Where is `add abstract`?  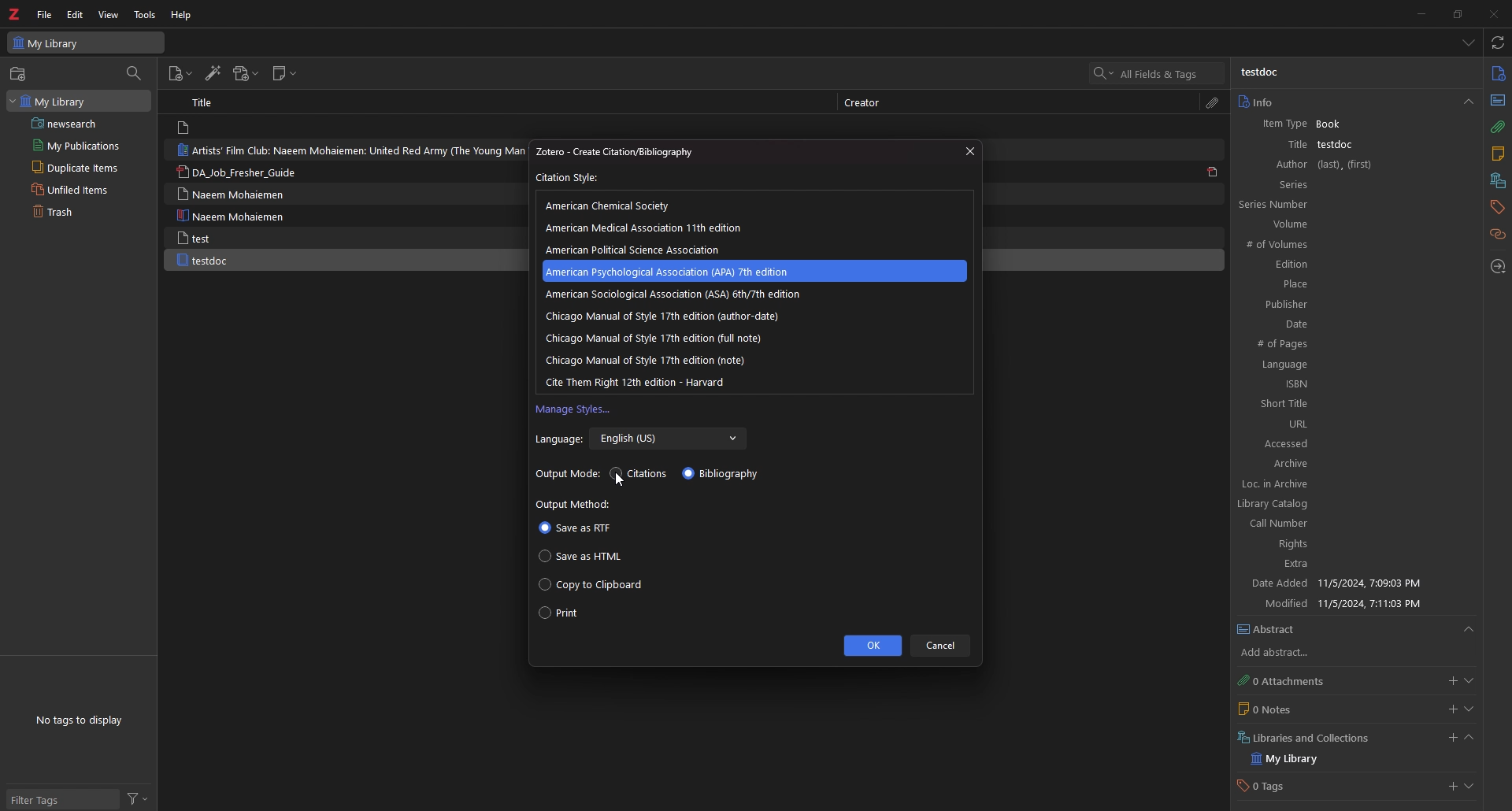 add abstract is located at coordinates (1288, 654).